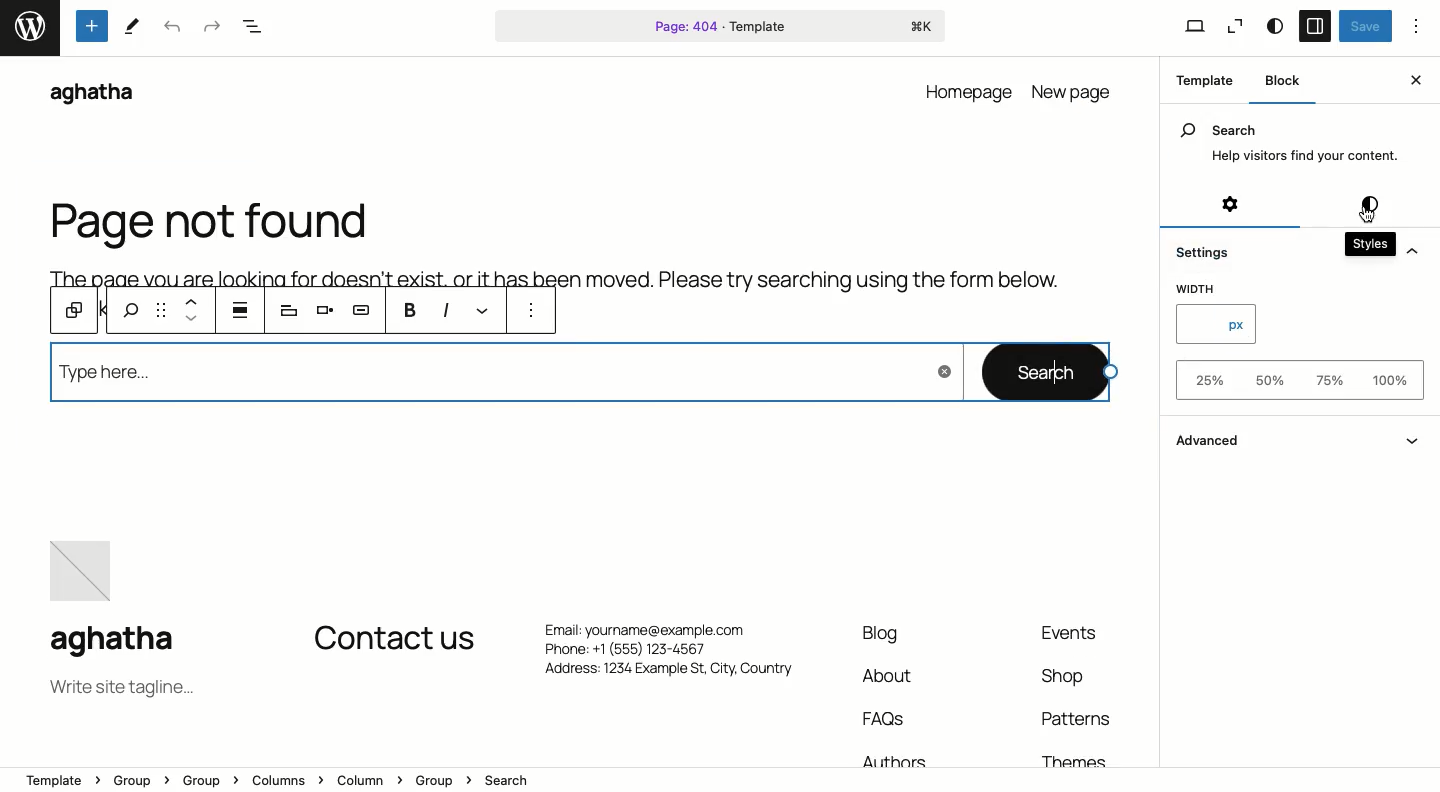 This screenshot has height=792, width=1440. What do you see at coordinates (129, 643) in the screenshot?
I see `aghatha` at bounding box center [129, 643].